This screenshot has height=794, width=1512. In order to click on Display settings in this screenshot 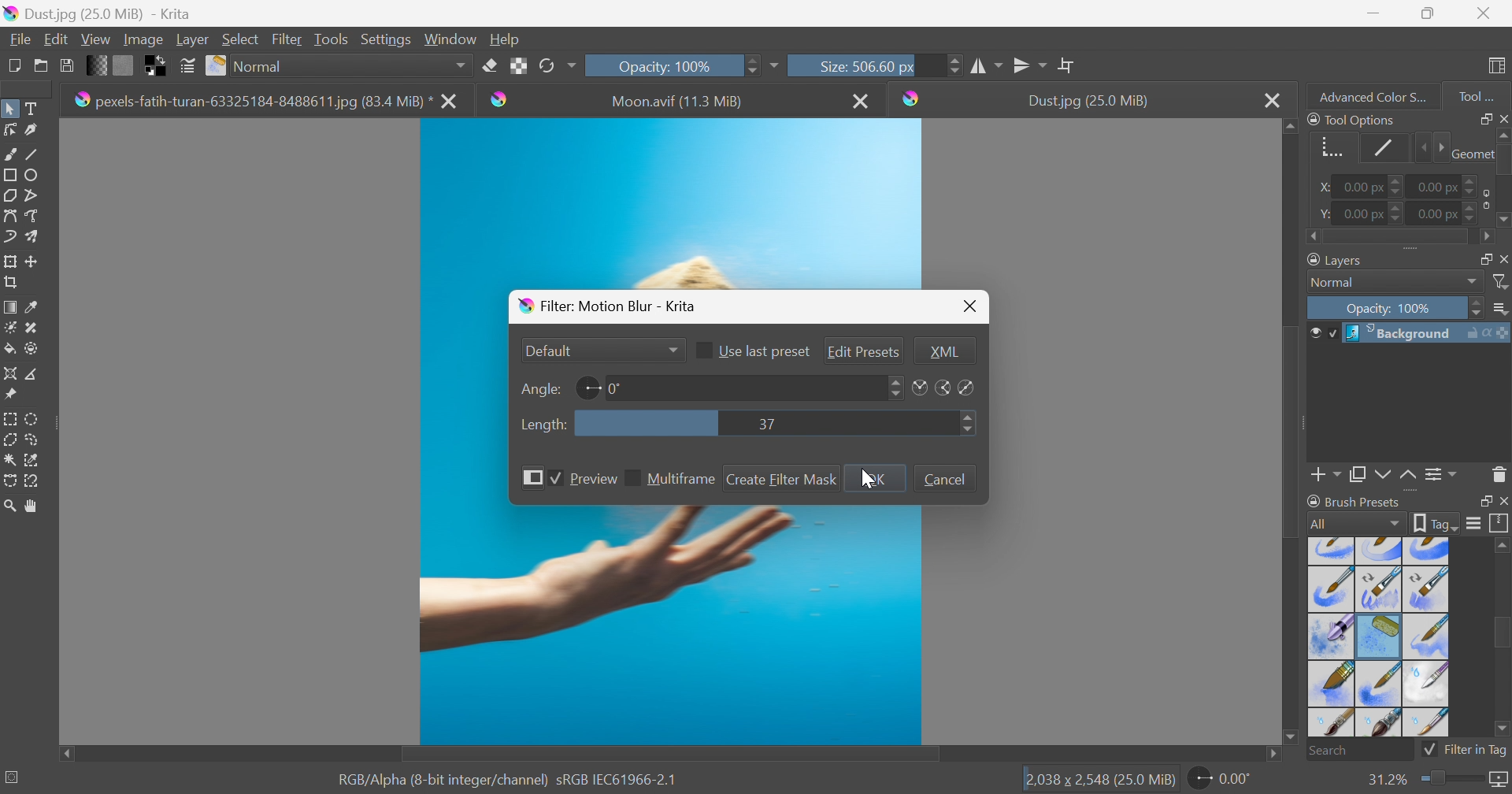, I will do `click(1473, 523)`.